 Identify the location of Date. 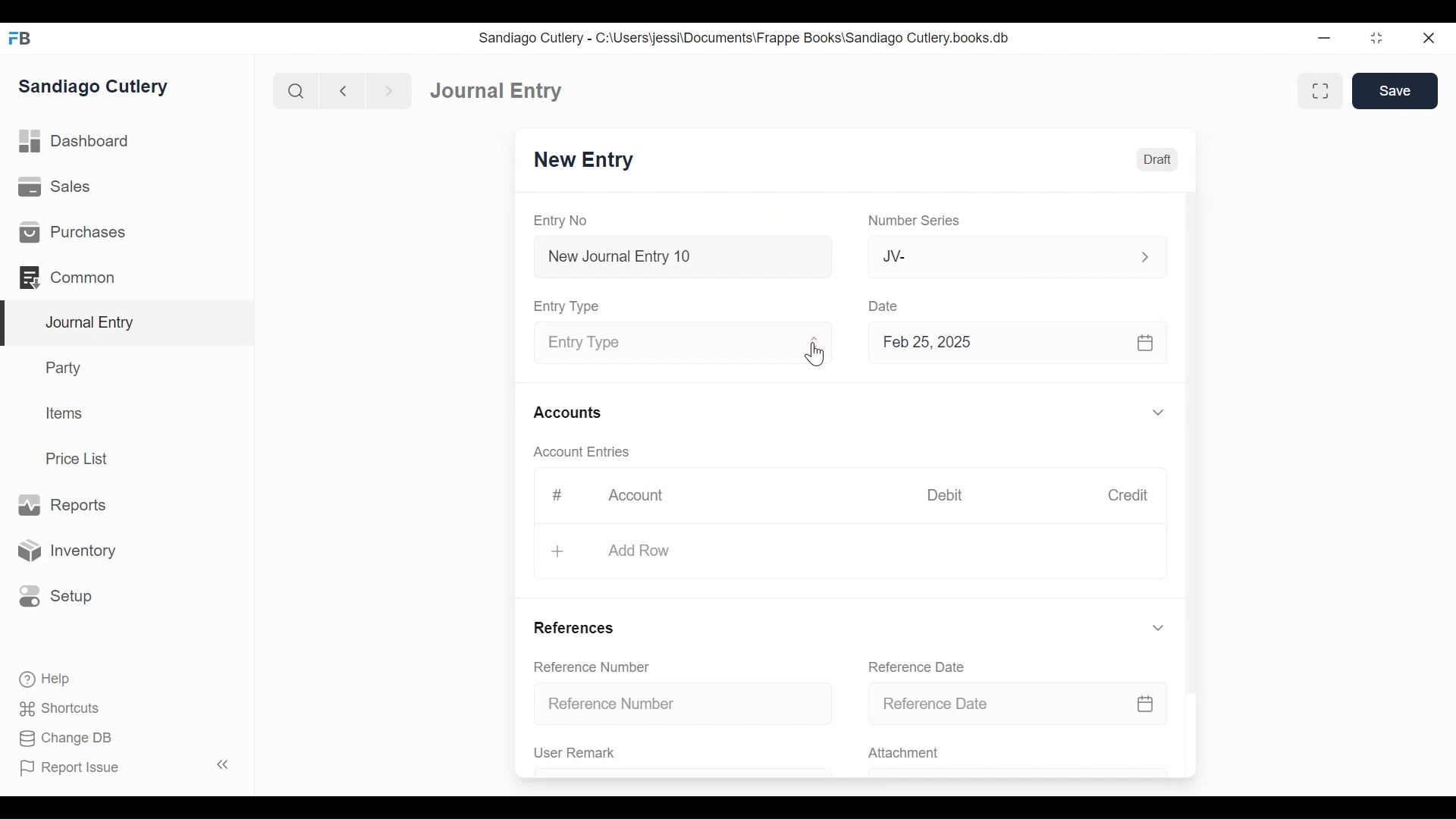
(886, 306).